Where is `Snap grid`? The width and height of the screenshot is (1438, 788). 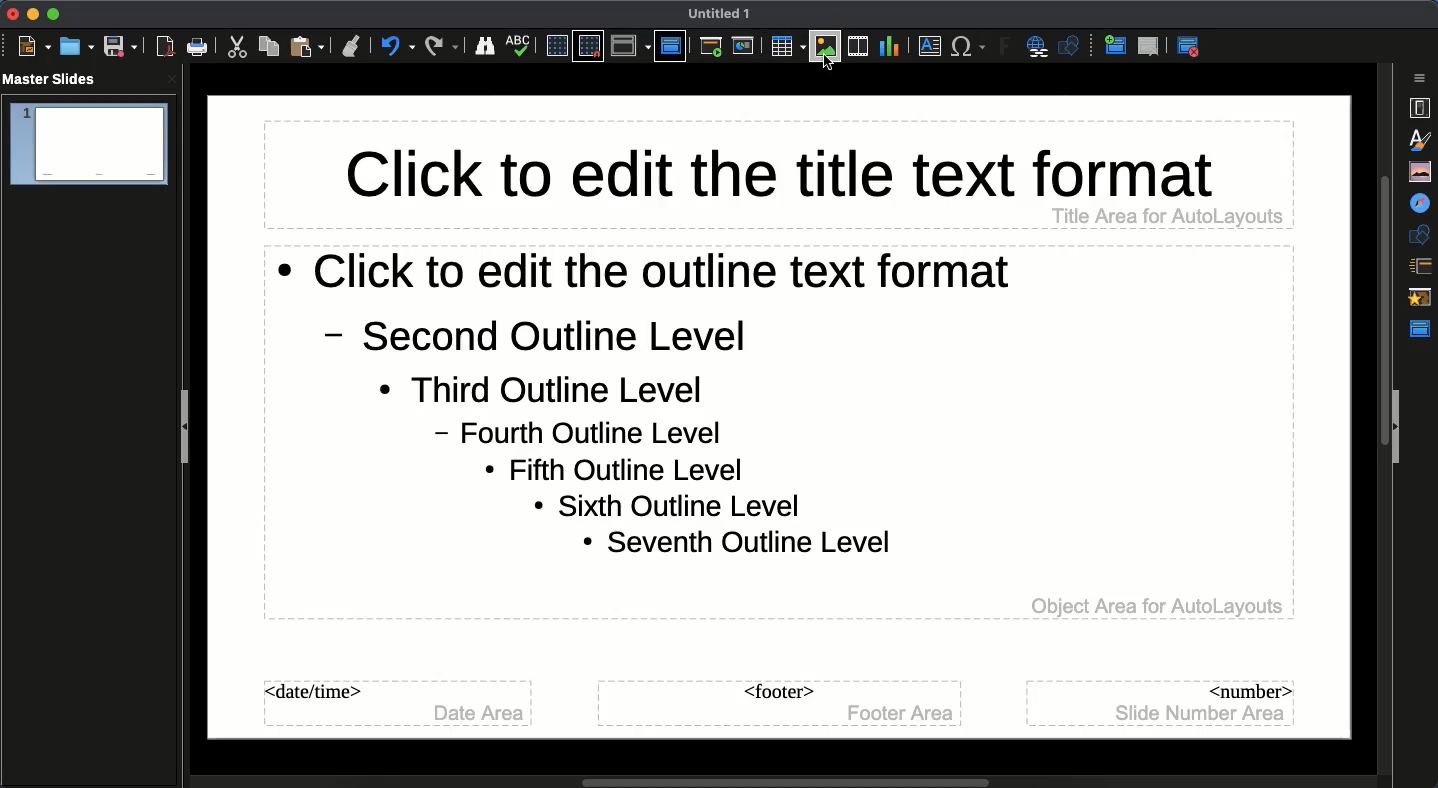
Snap grid is located at coordinates (588, 47).